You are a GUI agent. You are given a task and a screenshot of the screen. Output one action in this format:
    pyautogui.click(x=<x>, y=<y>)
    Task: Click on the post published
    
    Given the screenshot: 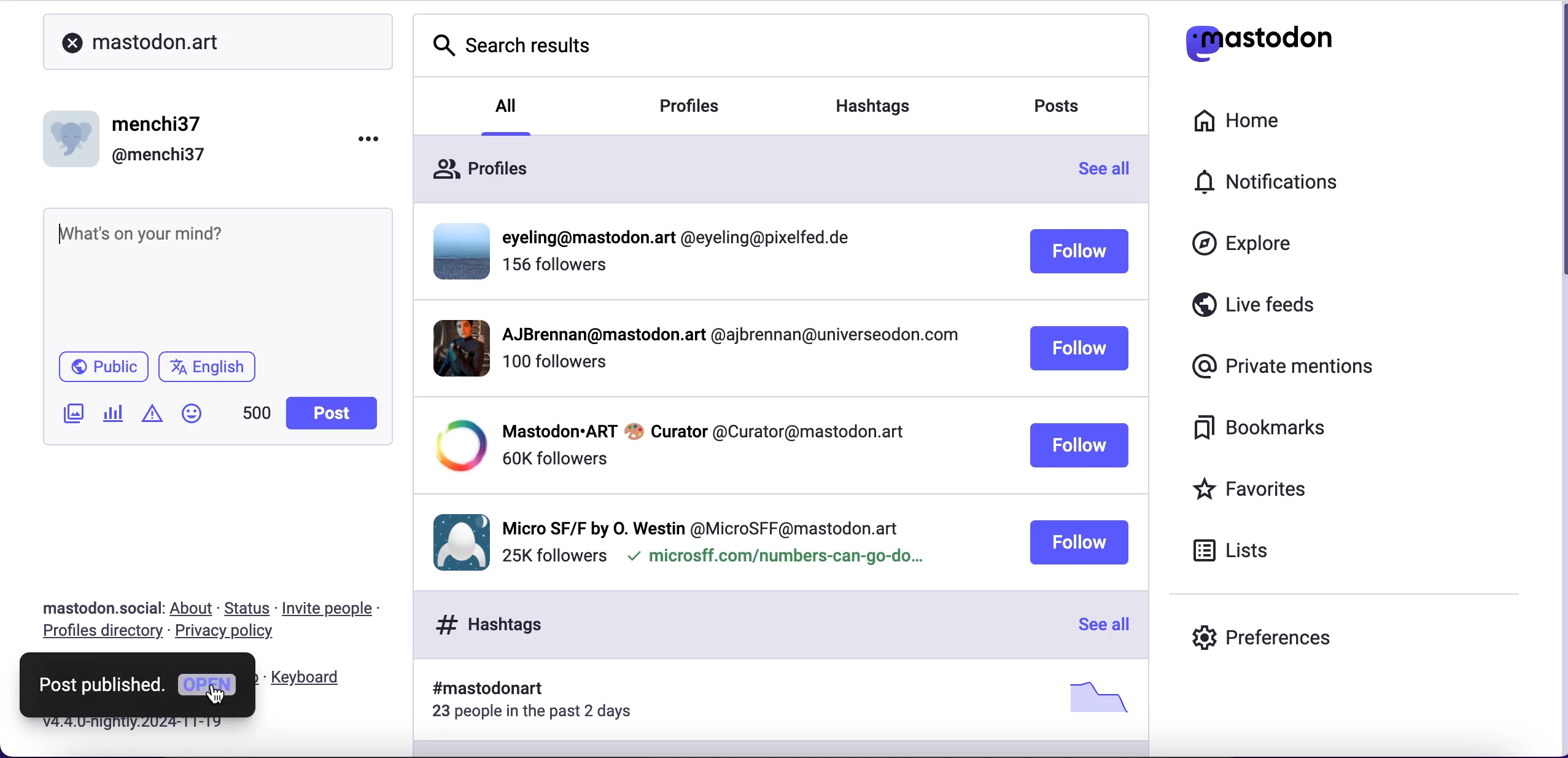 What is the action you would take?
    pyautogui.click(x=101, y=687)
    